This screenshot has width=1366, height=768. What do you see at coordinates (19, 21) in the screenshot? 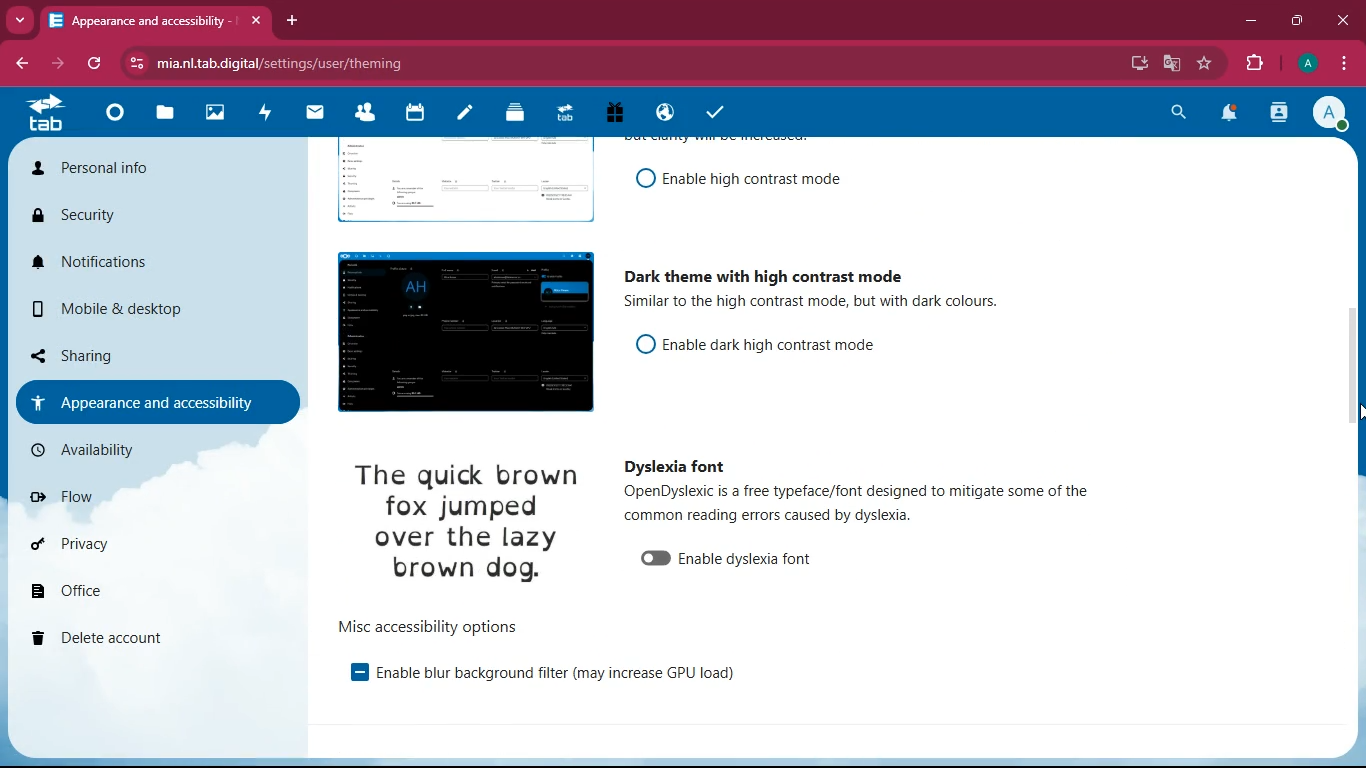
I see `more` at bounding box center [19, 21].